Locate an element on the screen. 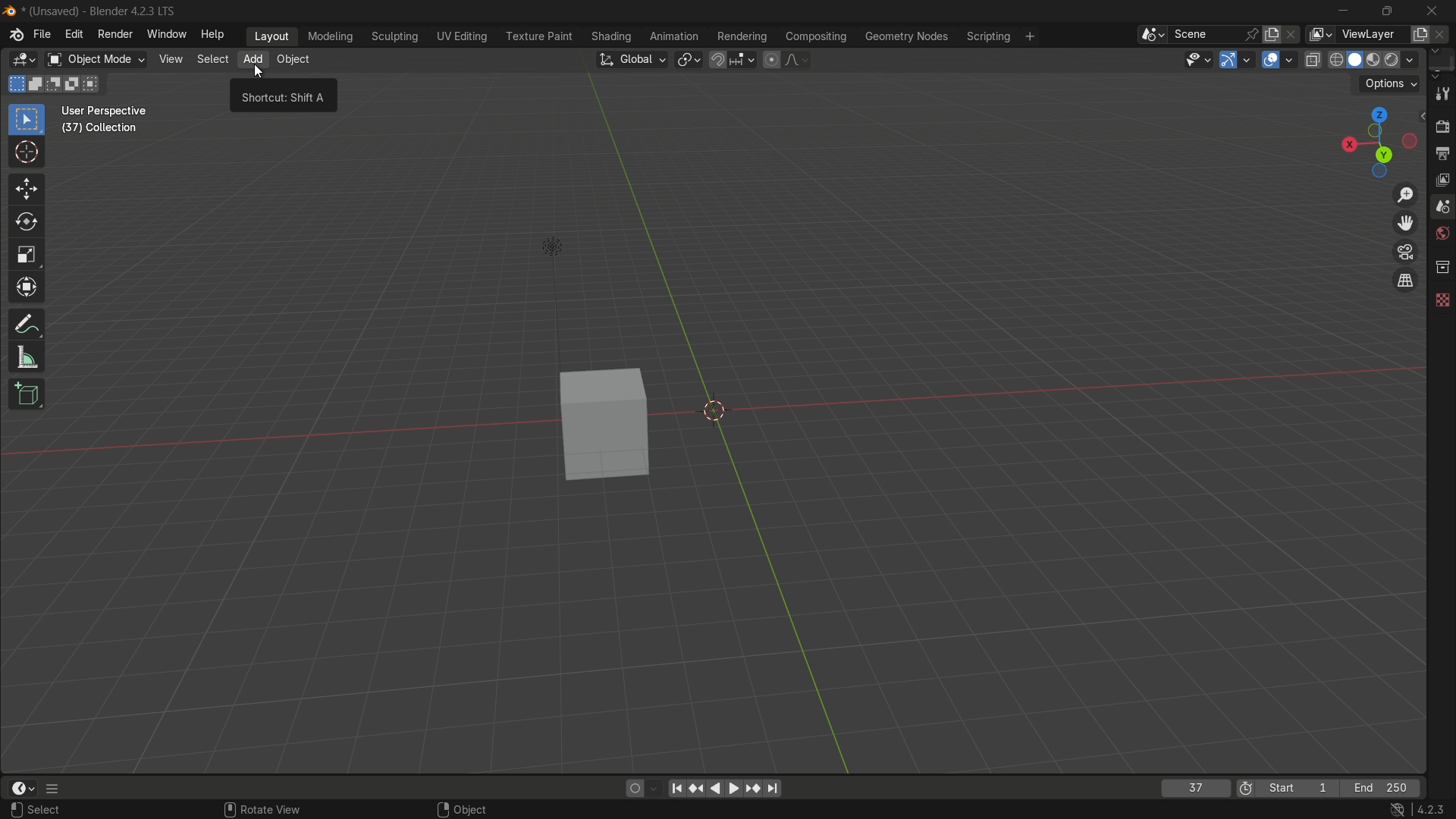 The image size is (1456, 819). logo is located at coordinates (9, 9).